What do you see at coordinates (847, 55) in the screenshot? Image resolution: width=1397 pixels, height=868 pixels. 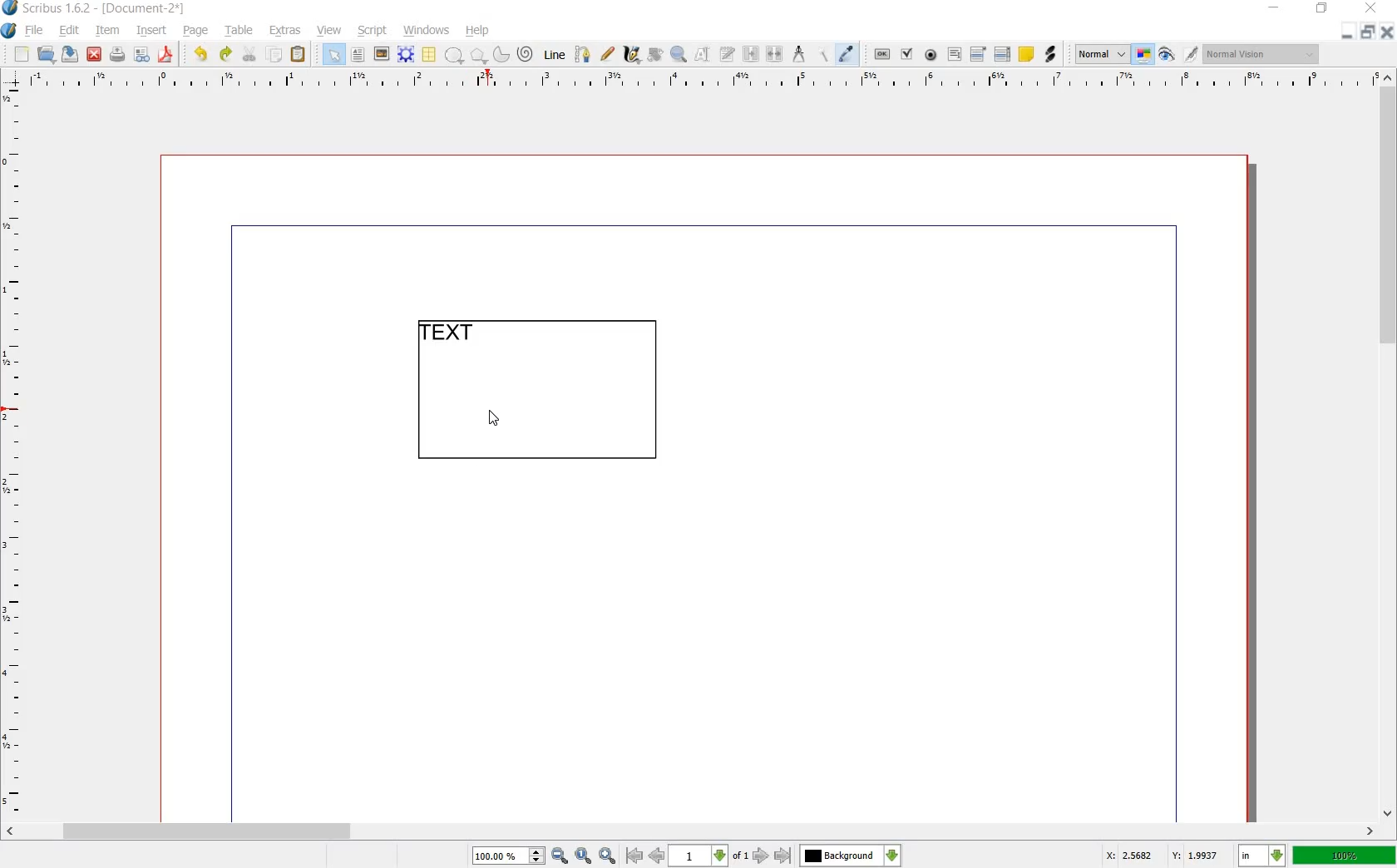 I see `eye dropper` at bounding box center [847, 55].